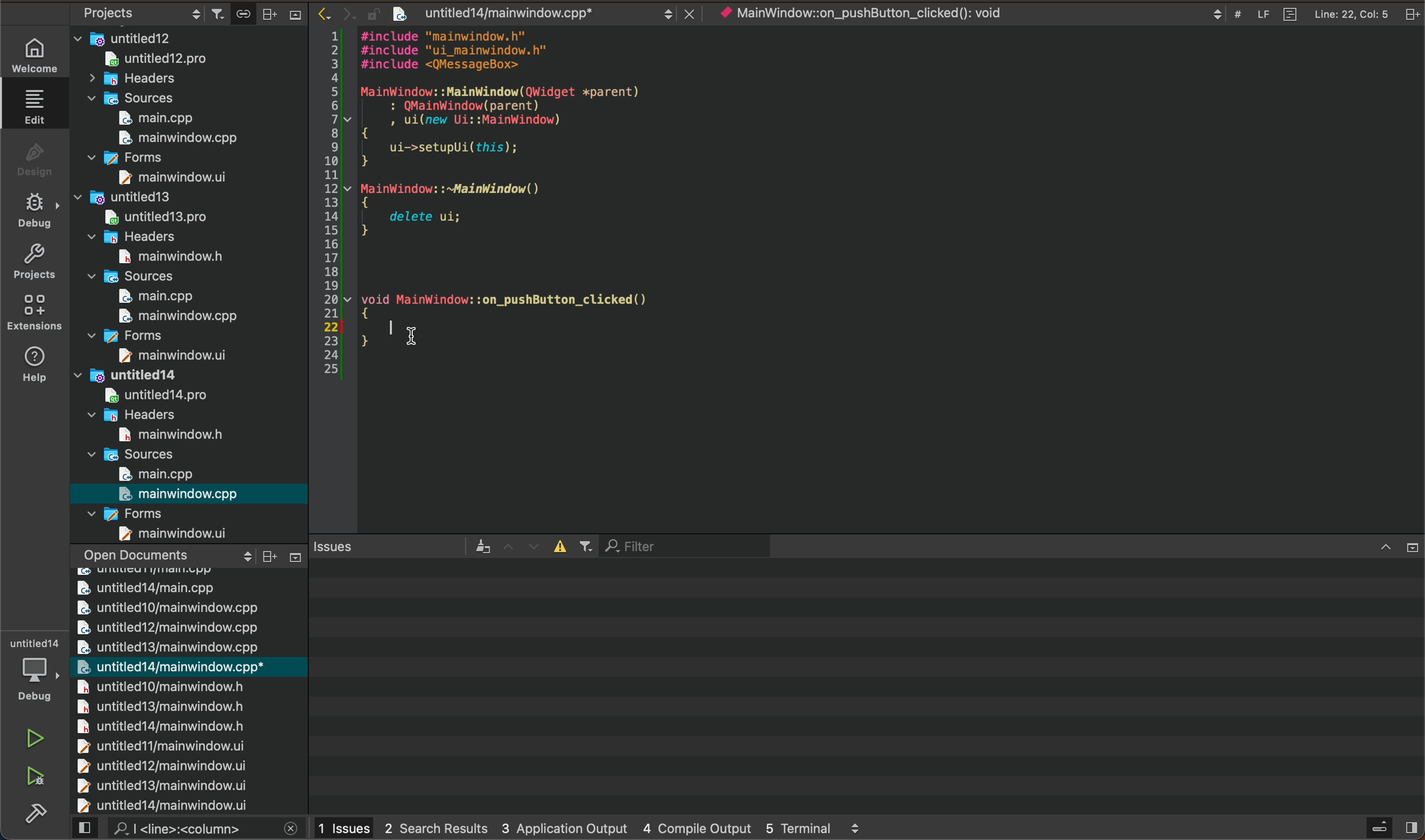 The width and height of the screenshot is (1425, 840). I want to click on main windowh, so click(161, 433).